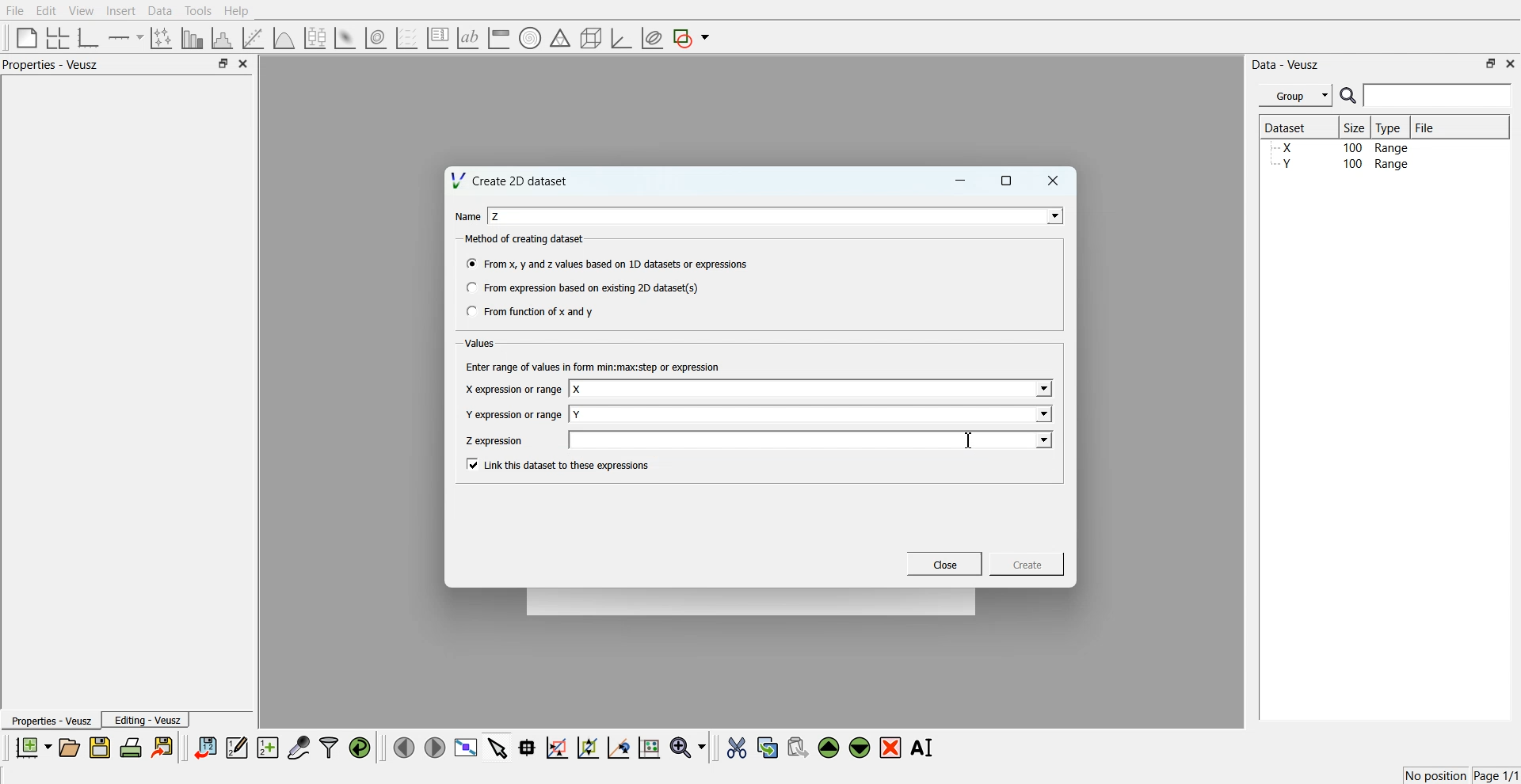  I want to click on Close, so click(1511, 63).